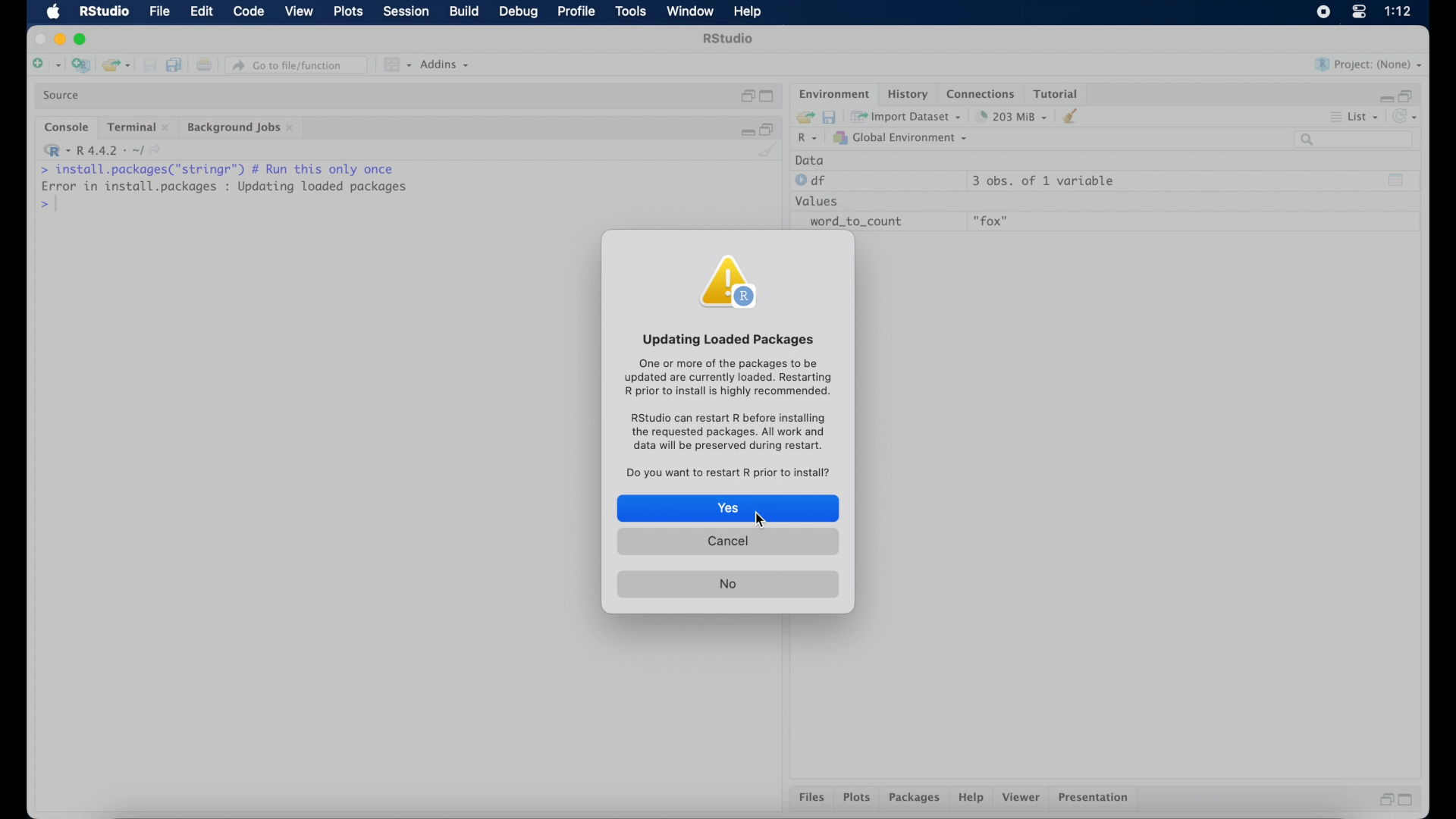  Describe the element at coordinates (750, 13) in the screenshot. I see `help` at that location.